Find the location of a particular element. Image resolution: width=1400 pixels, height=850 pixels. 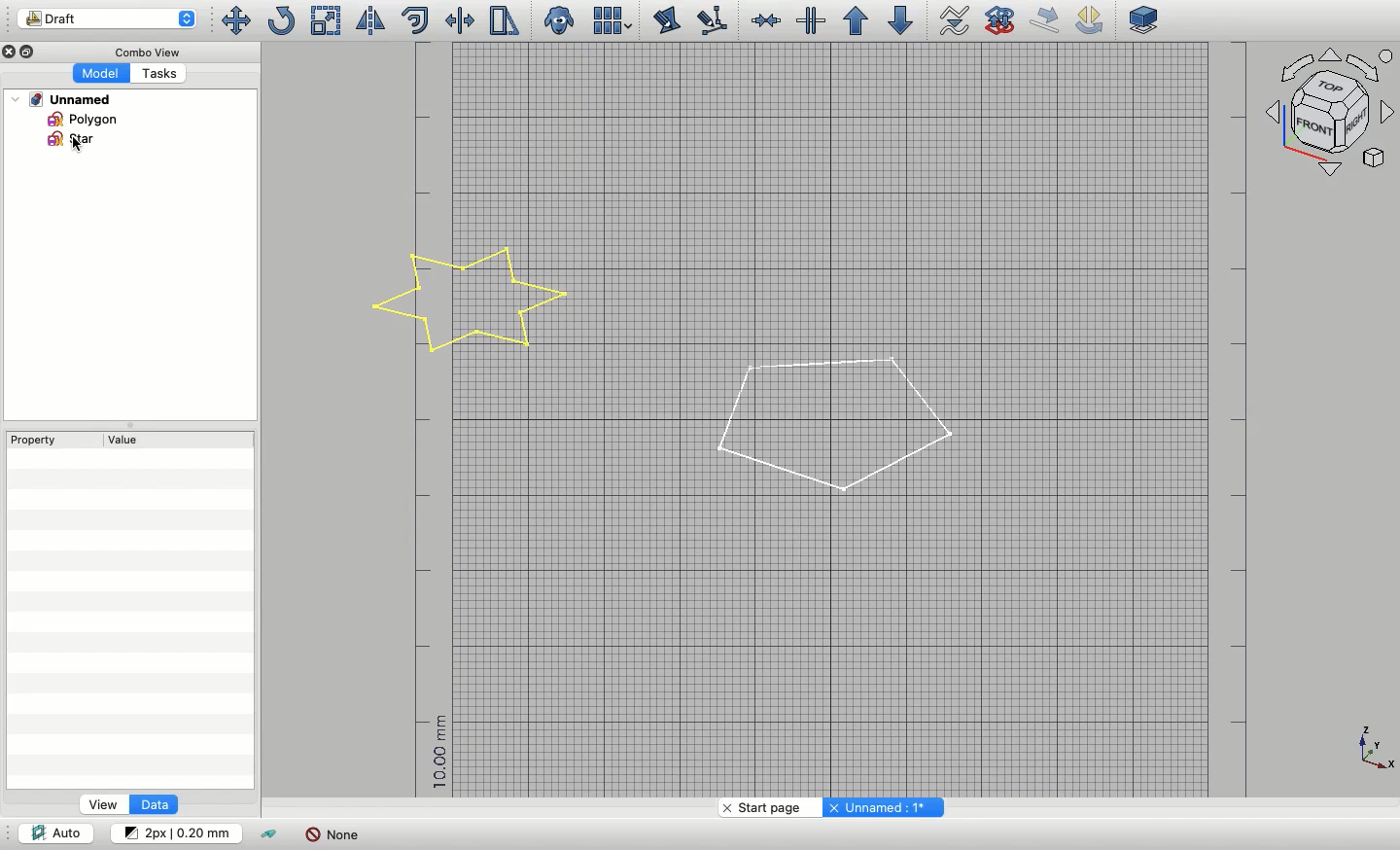

View is located at coordinates (104, 804).